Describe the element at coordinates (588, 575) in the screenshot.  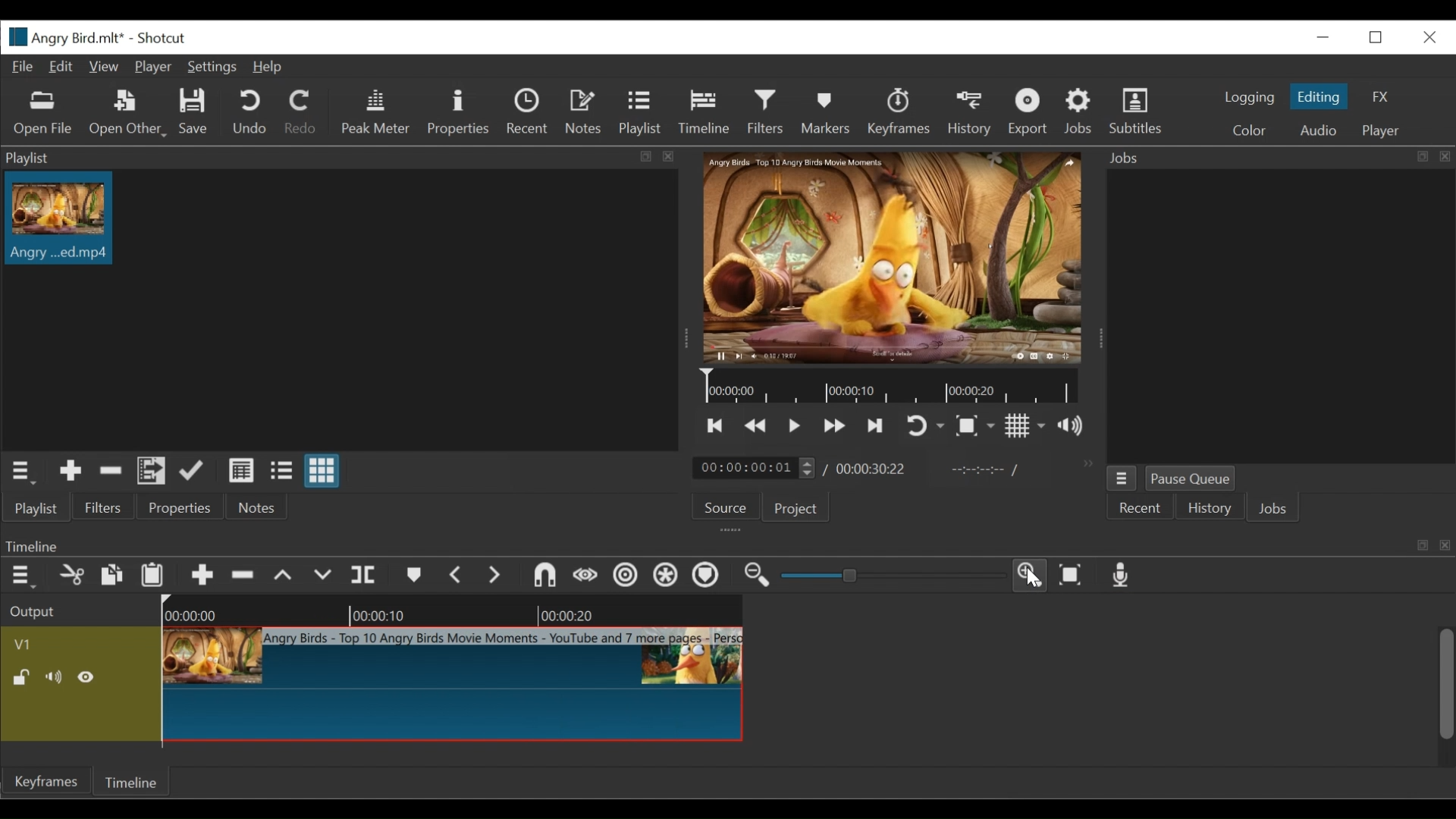
I see `Scrub while dragging` at that location.